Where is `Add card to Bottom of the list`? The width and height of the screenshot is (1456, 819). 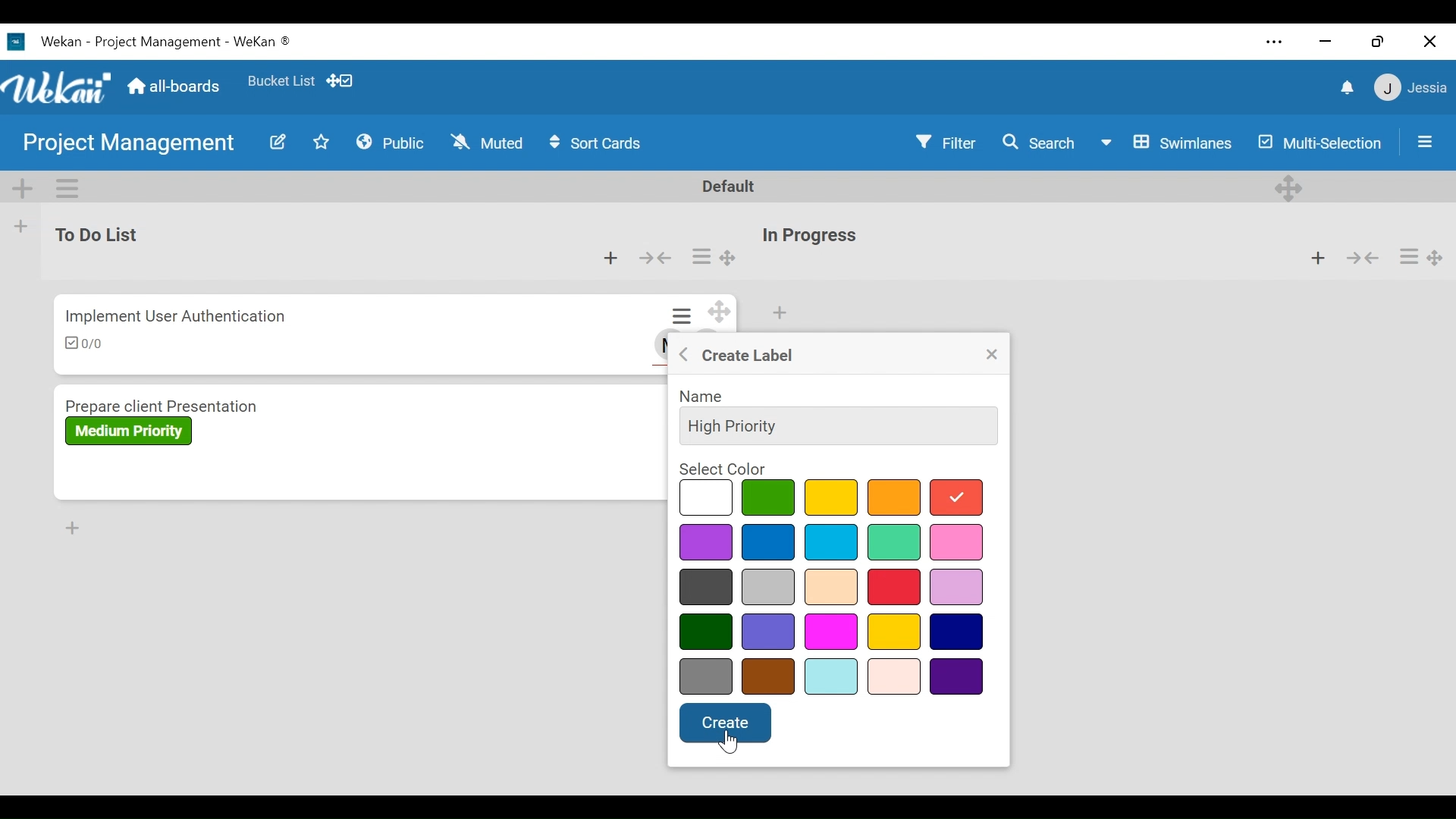 Add card to Bottom of the list is located at coordinates (71, 528).